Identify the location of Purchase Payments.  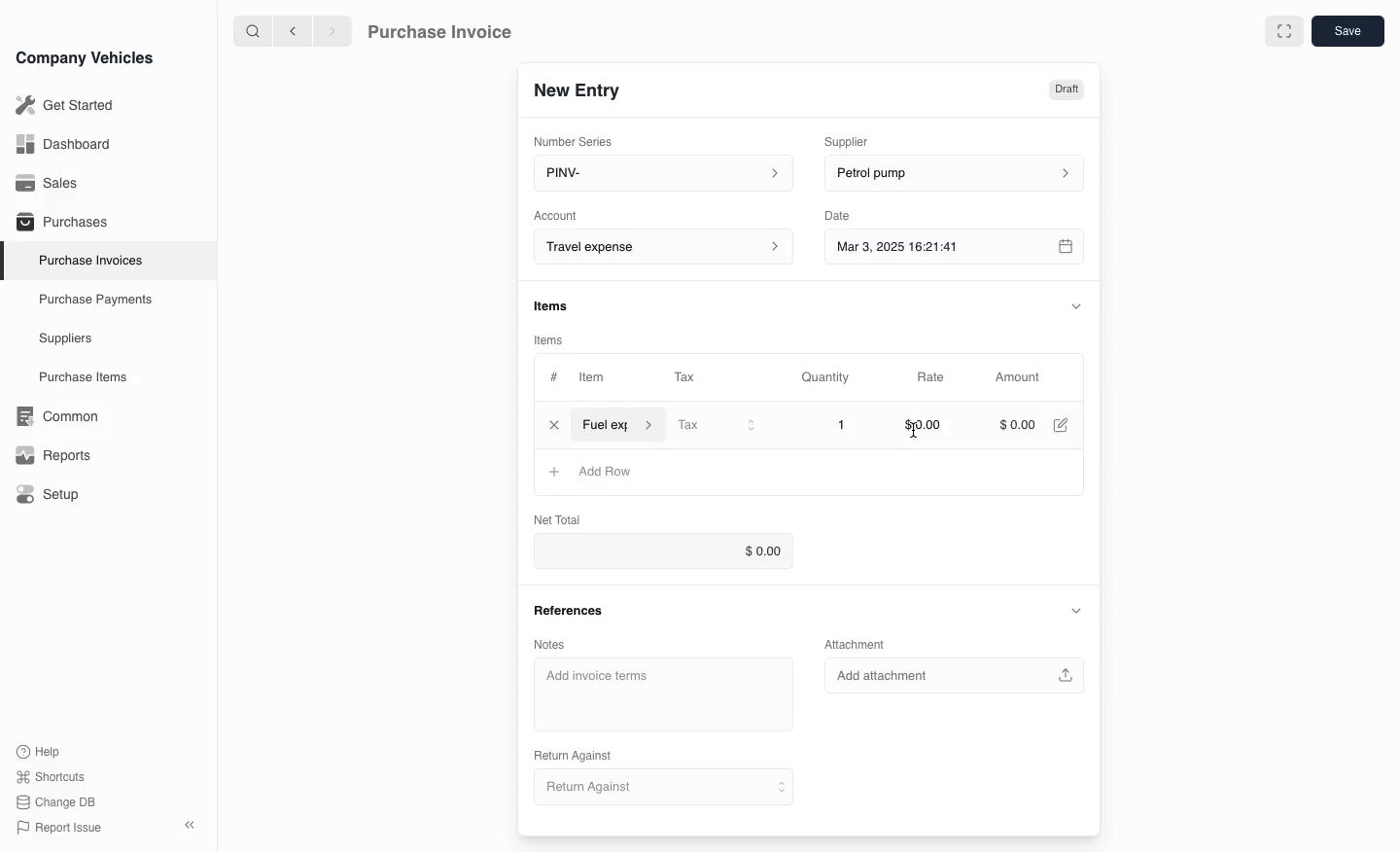
(93, 300).